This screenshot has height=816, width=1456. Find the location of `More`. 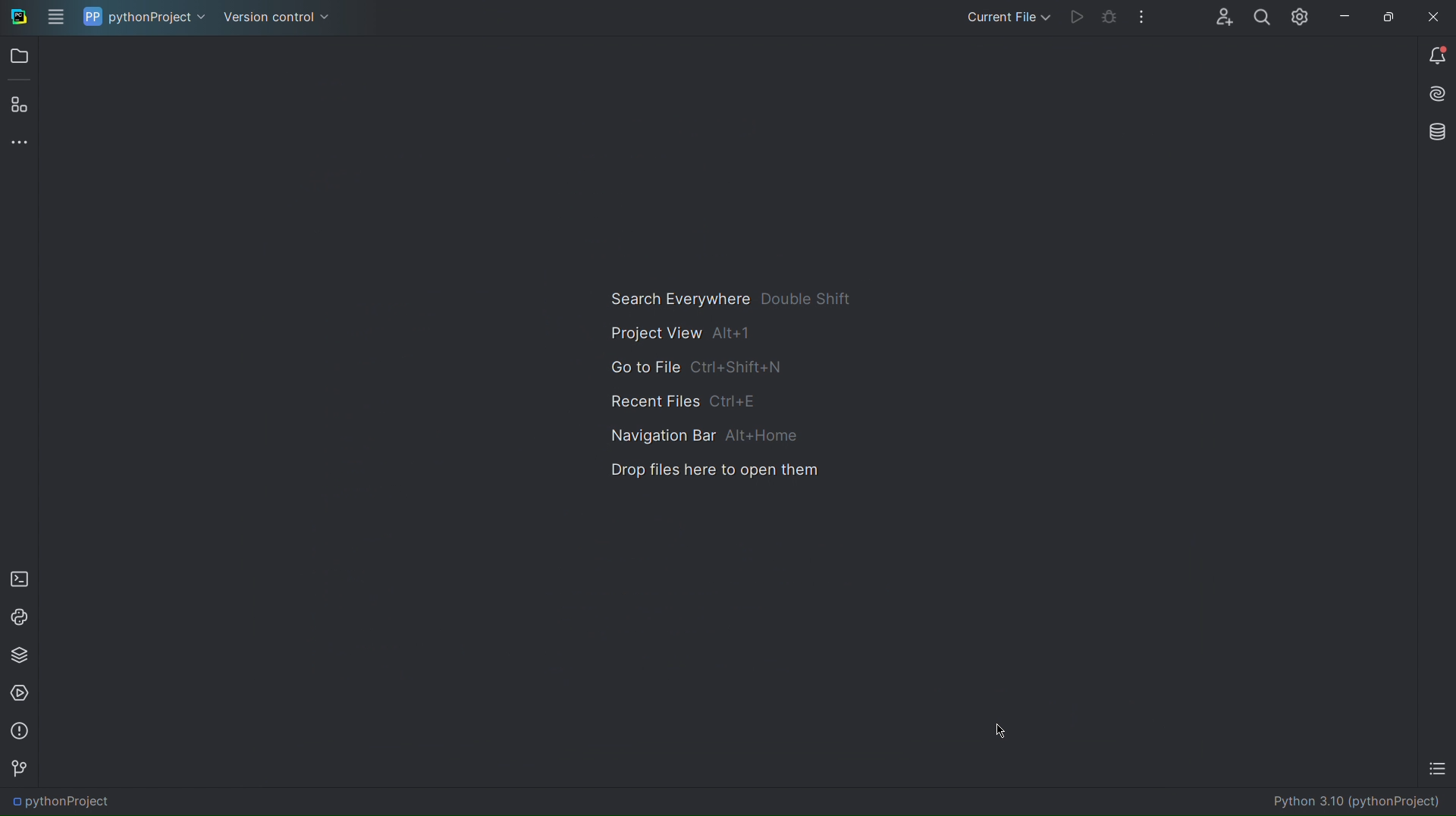

More is located at coordinates (21, 143).